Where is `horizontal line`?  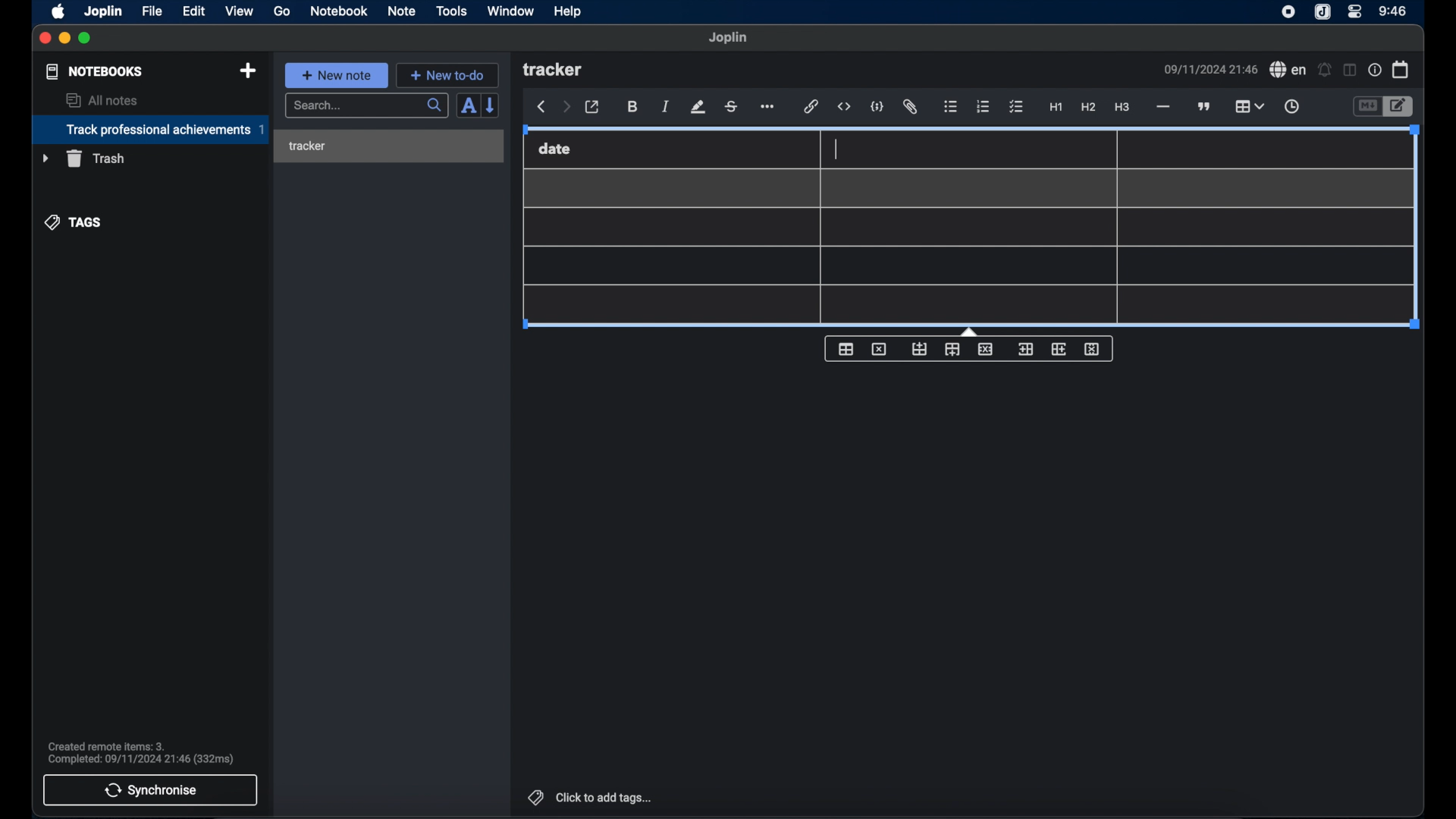 horizontal line is located at coordinates (1163, 107).